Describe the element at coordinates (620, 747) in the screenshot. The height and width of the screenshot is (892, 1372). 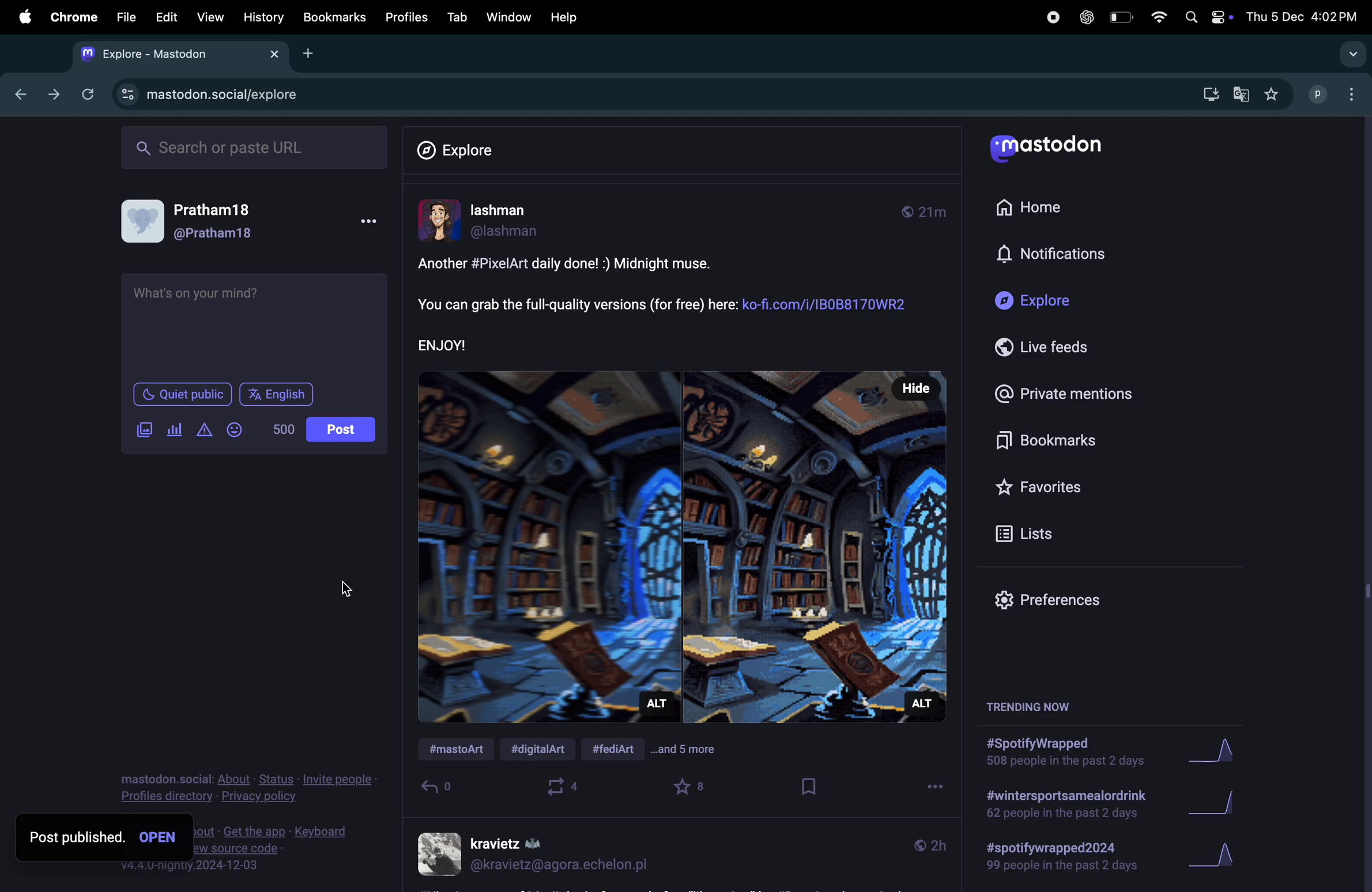
I see `# fed art` at that location.